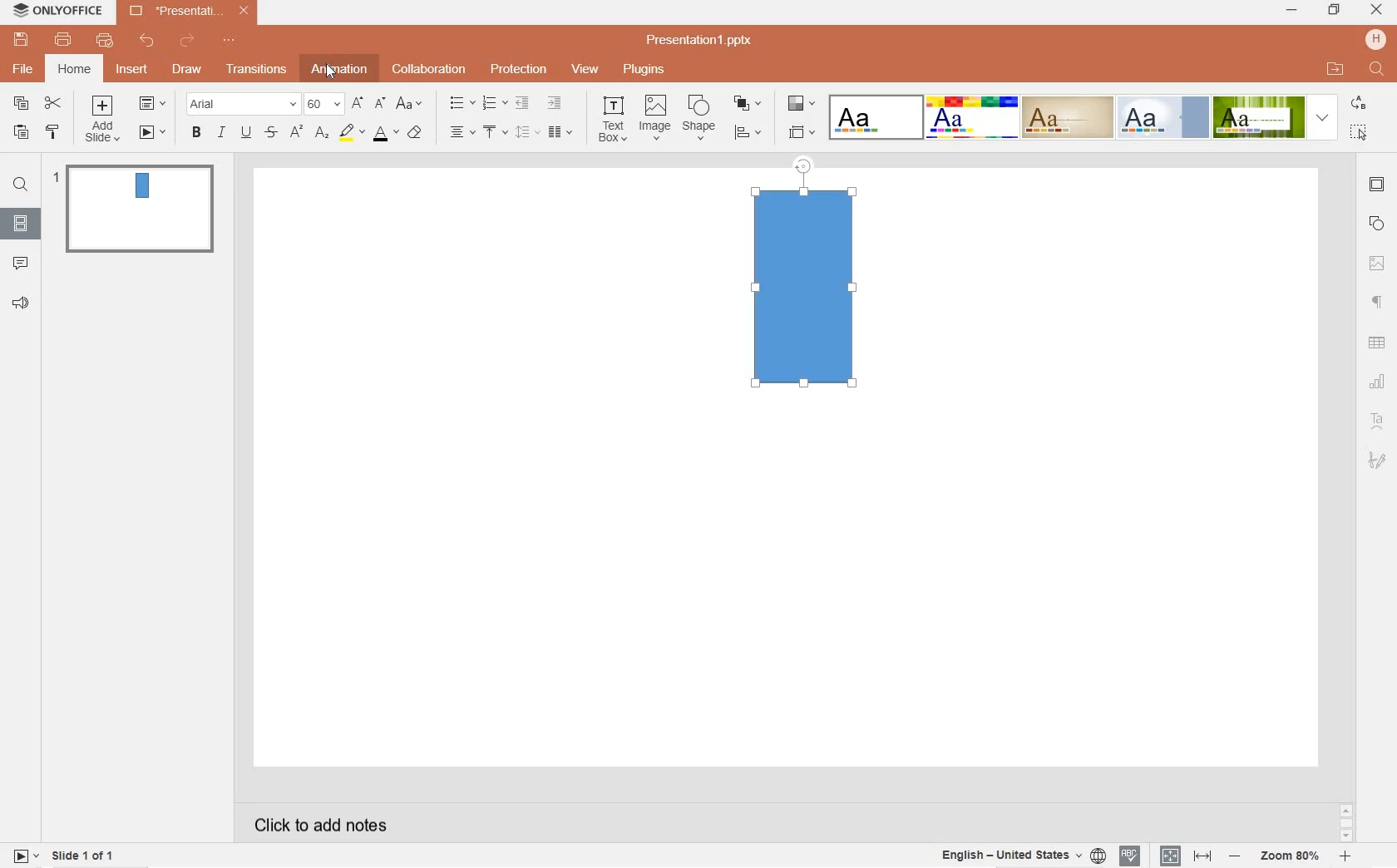  Describe the element at coordinates (1379, 343) in the screenshot. I see `table settings` at that location.